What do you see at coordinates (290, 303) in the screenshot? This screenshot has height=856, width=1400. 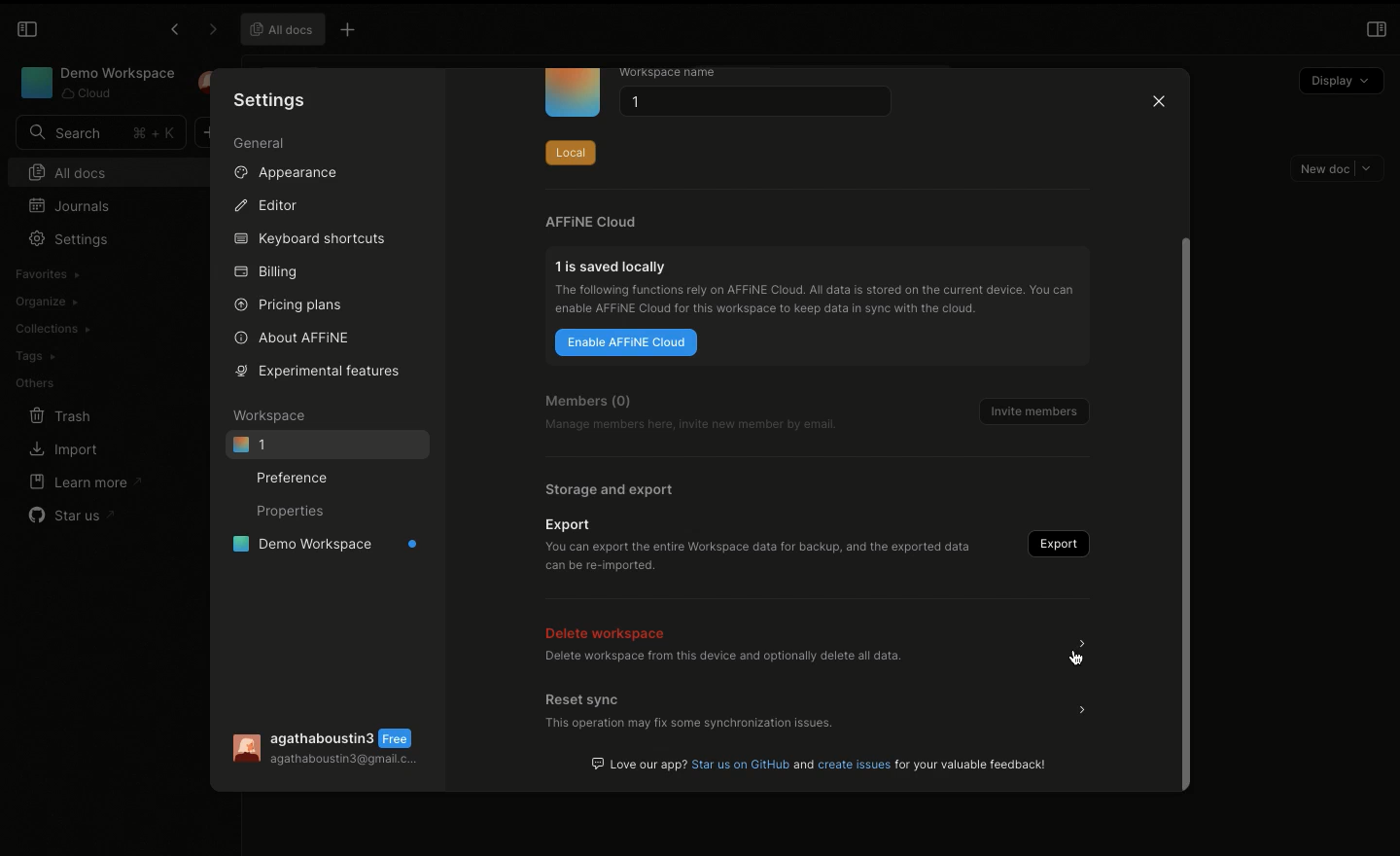 I see `Pricing plans` at bounding box center [290, 303].